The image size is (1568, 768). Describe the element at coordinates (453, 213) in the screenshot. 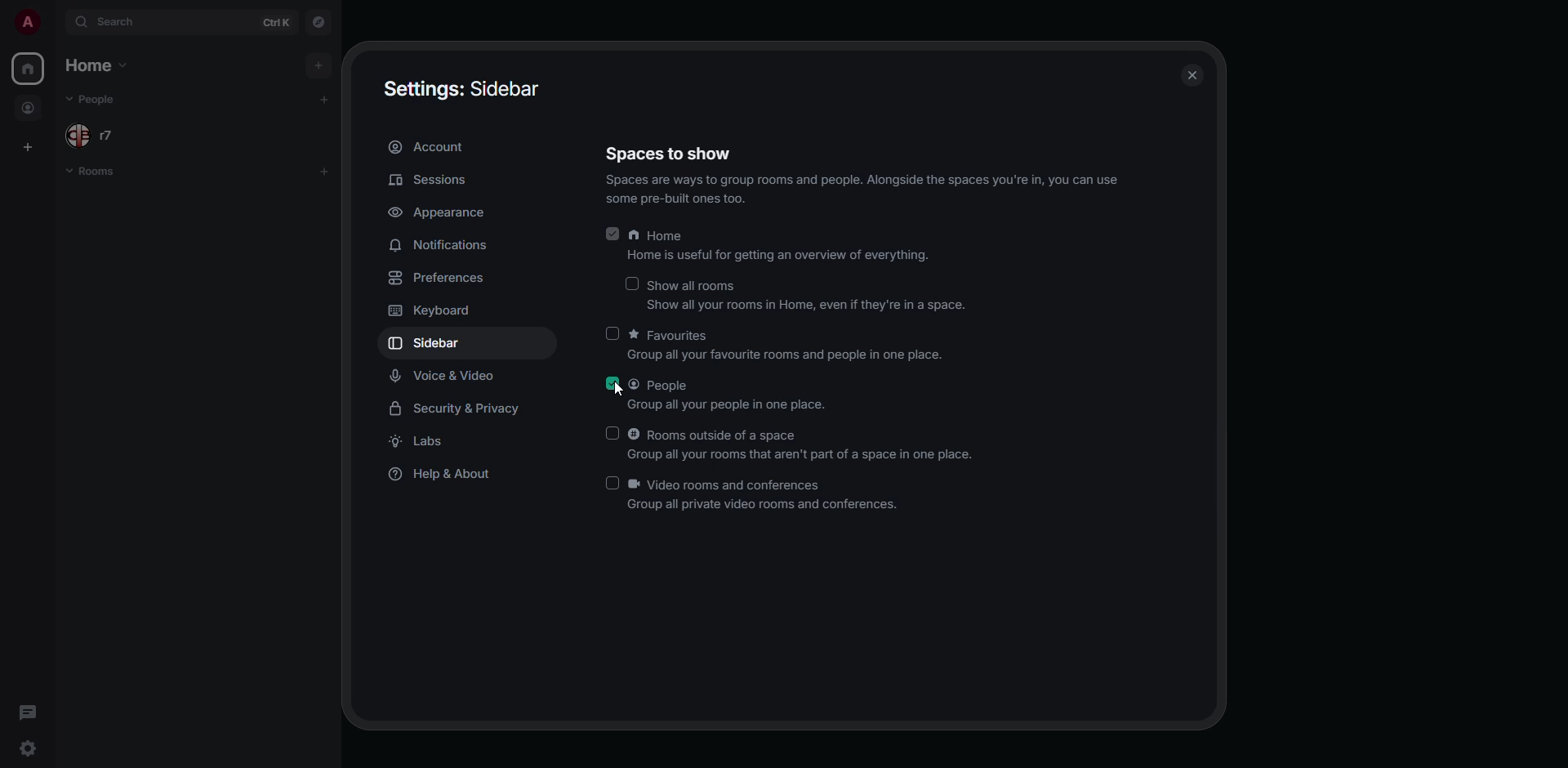

I see `appearance` at that location.